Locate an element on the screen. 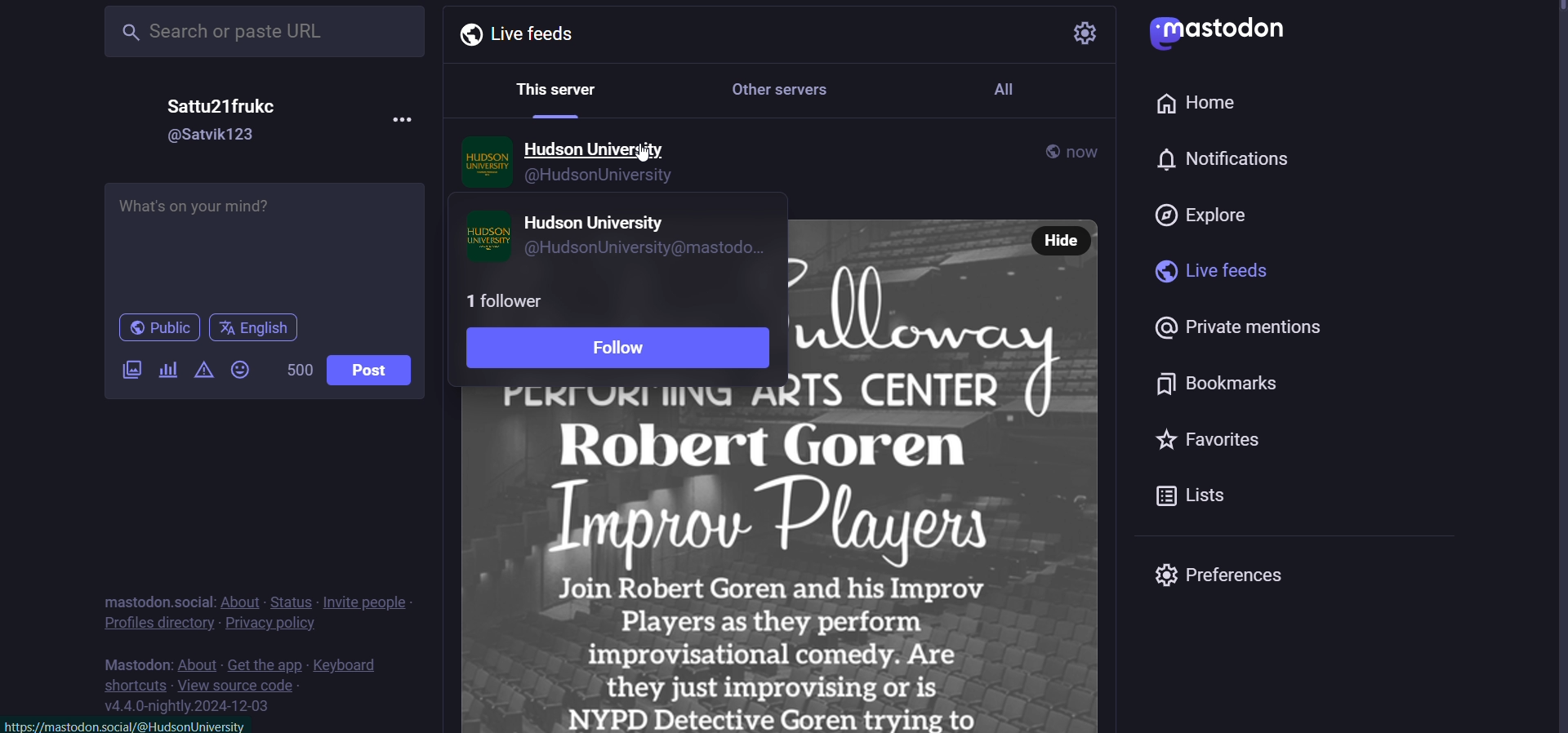 Image resolution: width=1568 pixels, height=733 pixels. all is located at coordinates (1003, 87).